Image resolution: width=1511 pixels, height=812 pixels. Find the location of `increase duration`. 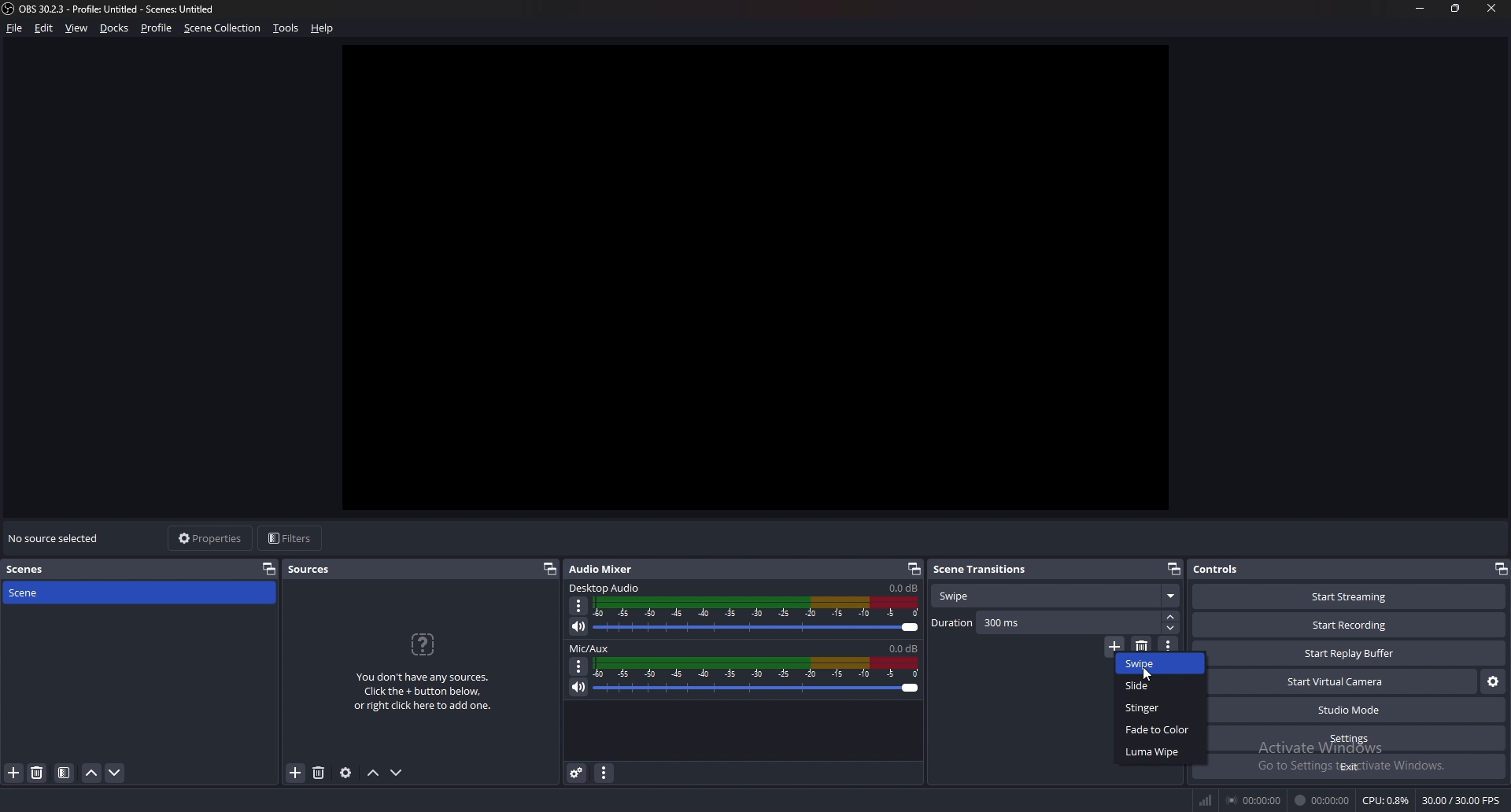

increase duration is located at coordinates (1170, 617).